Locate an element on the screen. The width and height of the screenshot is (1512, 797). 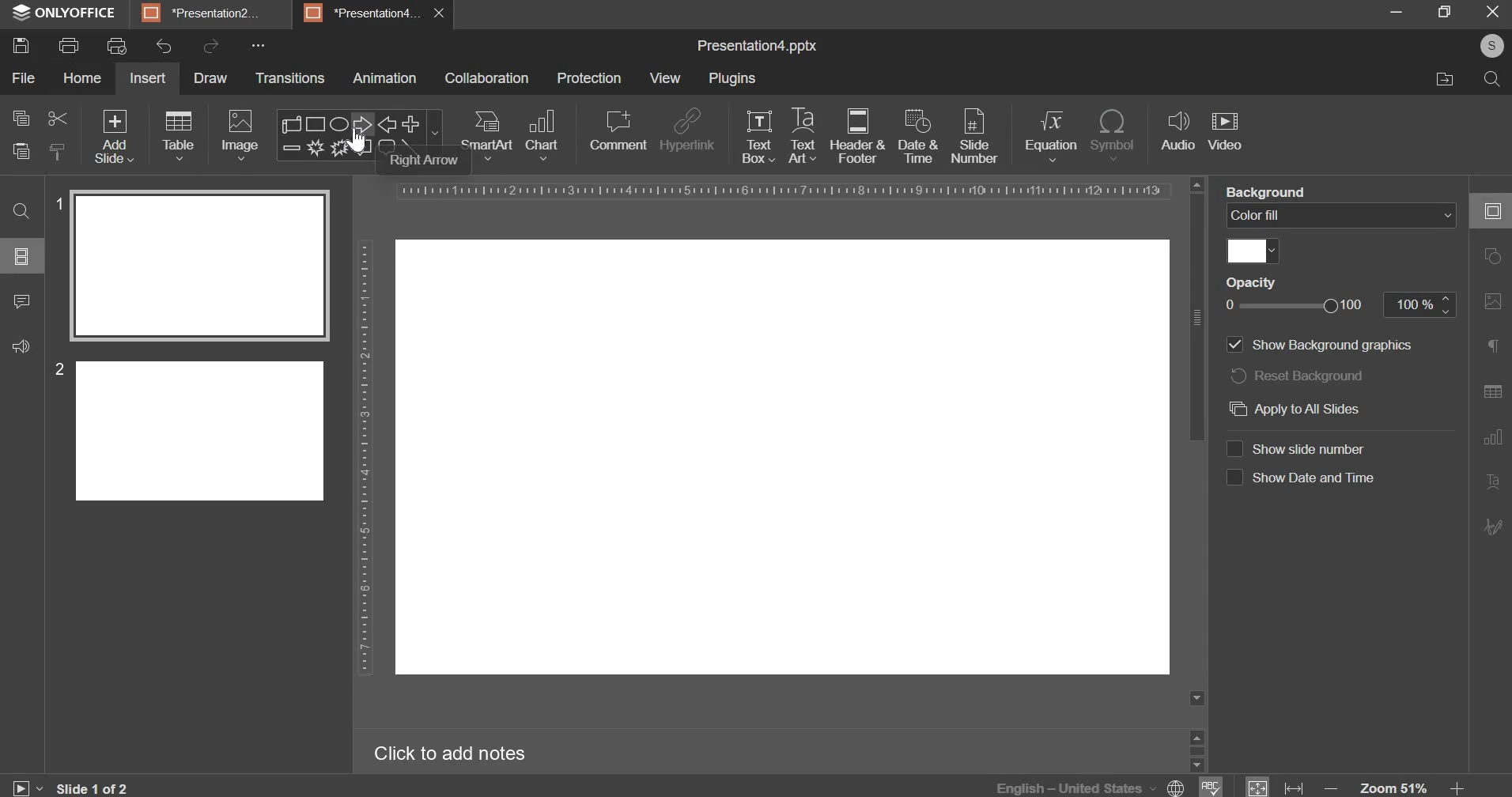
shapes is located at coordinates (359, 134).